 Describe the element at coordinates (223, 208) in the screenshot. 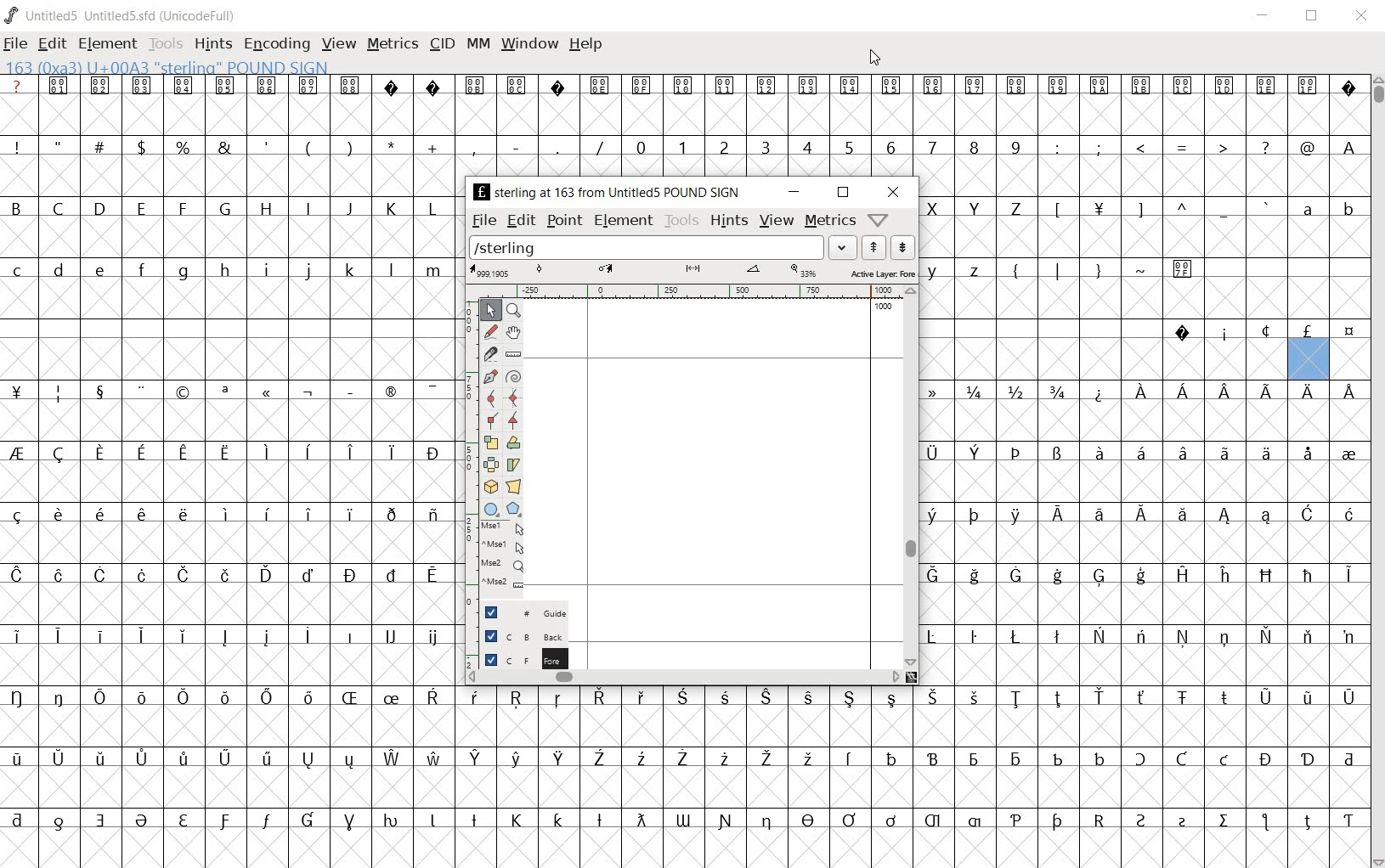

I see `G` at that location.